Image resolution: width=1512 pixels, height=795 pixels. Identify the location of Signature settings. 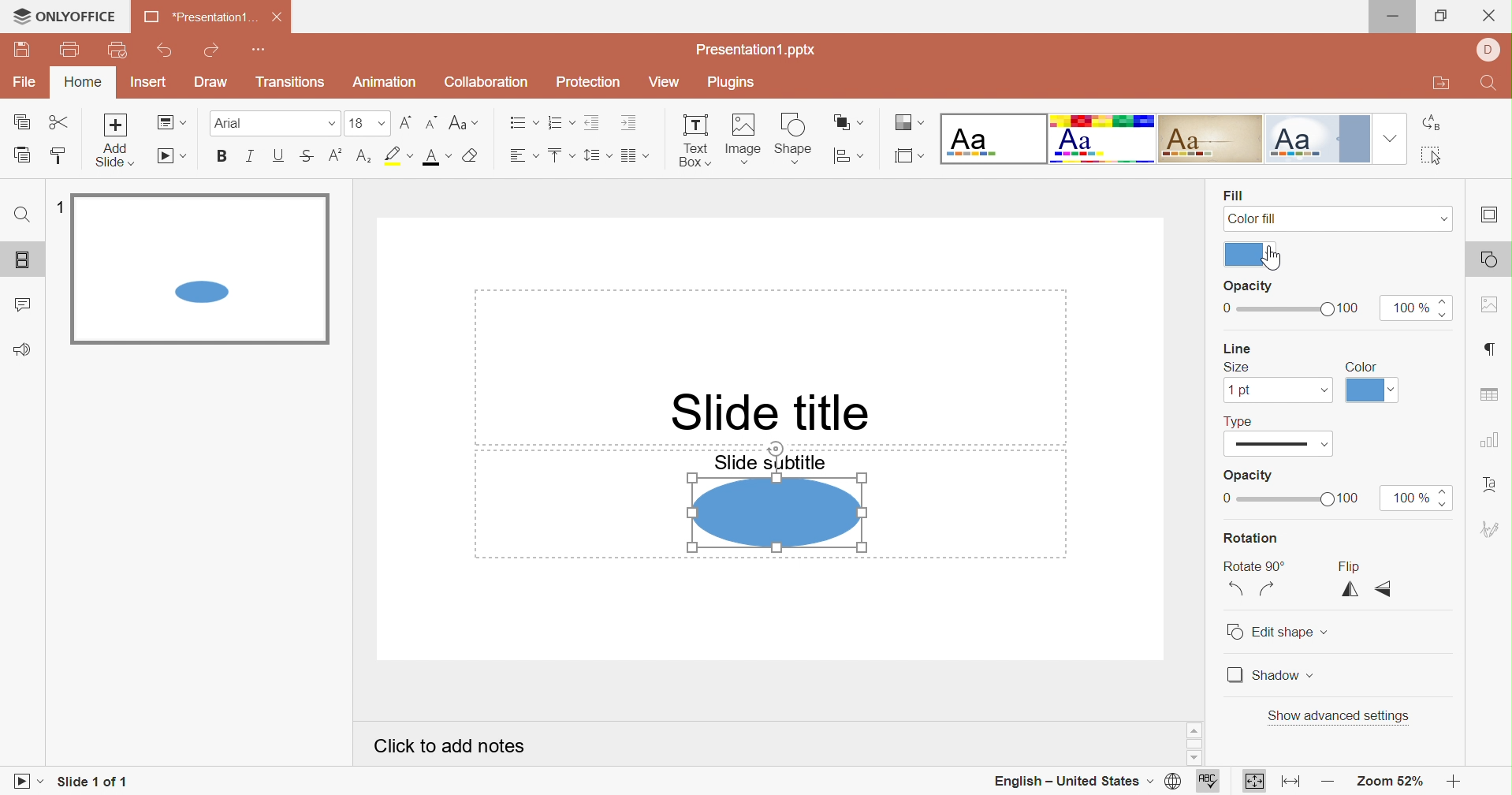
(1490, 530).